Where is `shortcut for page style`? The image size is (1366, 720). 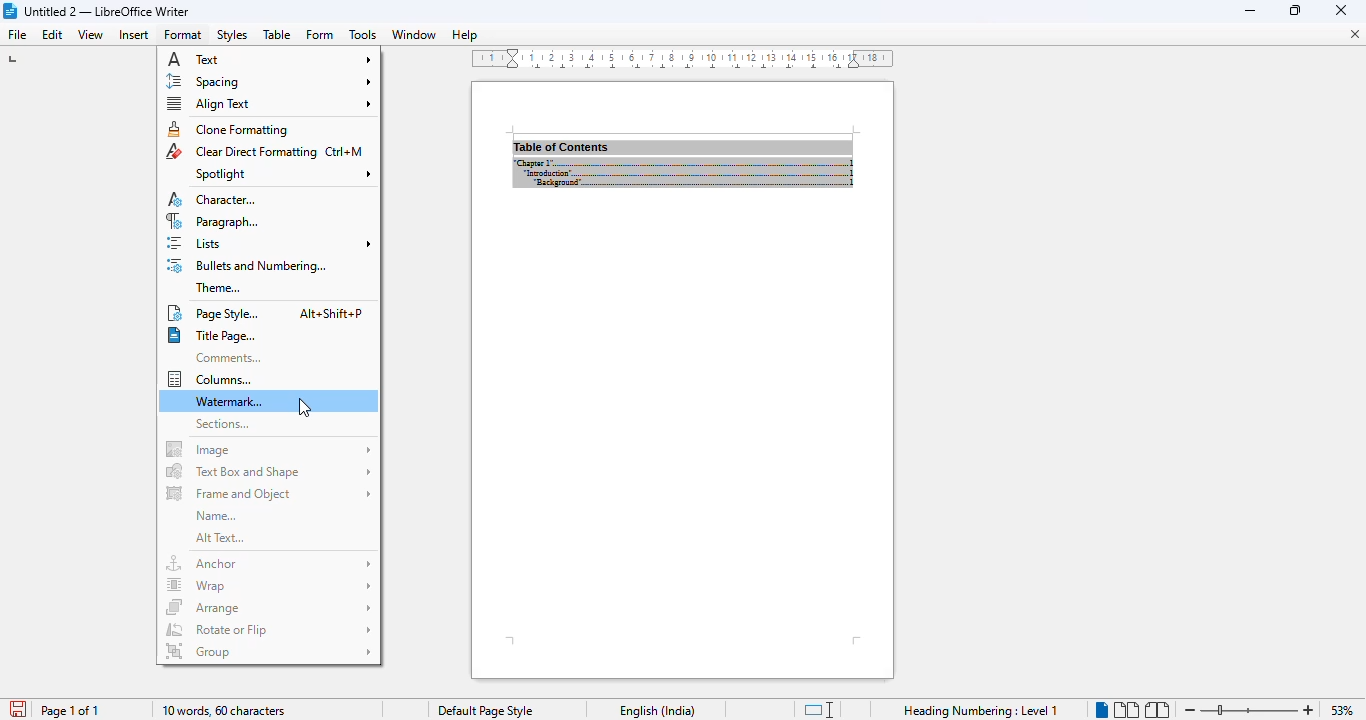
shortcut for page style is located at coordinates (330, 313).